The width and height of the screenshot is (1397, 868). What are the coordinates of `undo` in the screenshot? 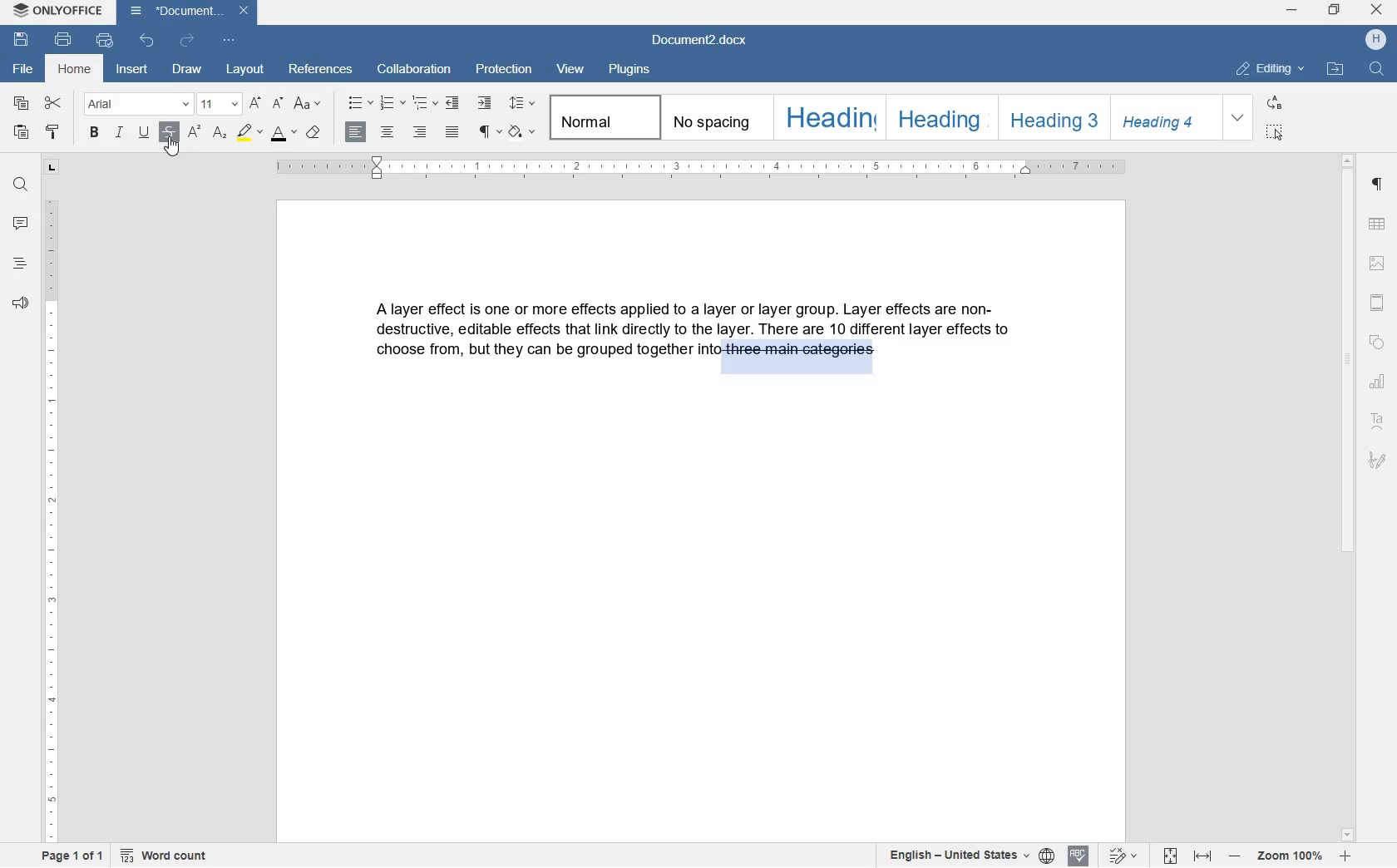 It's located at (148, 42).